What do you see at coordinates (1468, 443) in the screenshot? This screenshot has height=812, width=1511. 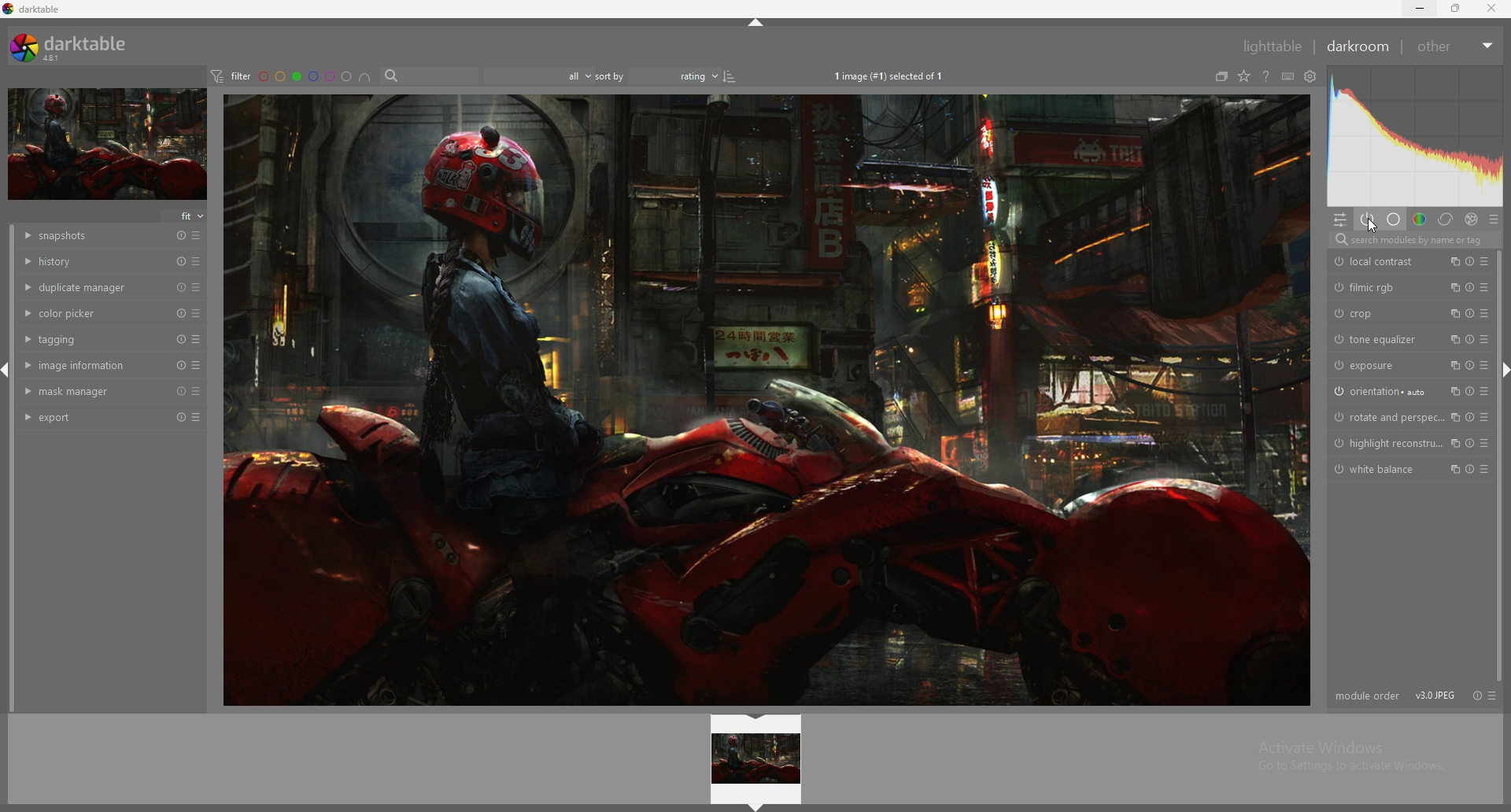 I see `reset` at bounding box center [1468, 443].